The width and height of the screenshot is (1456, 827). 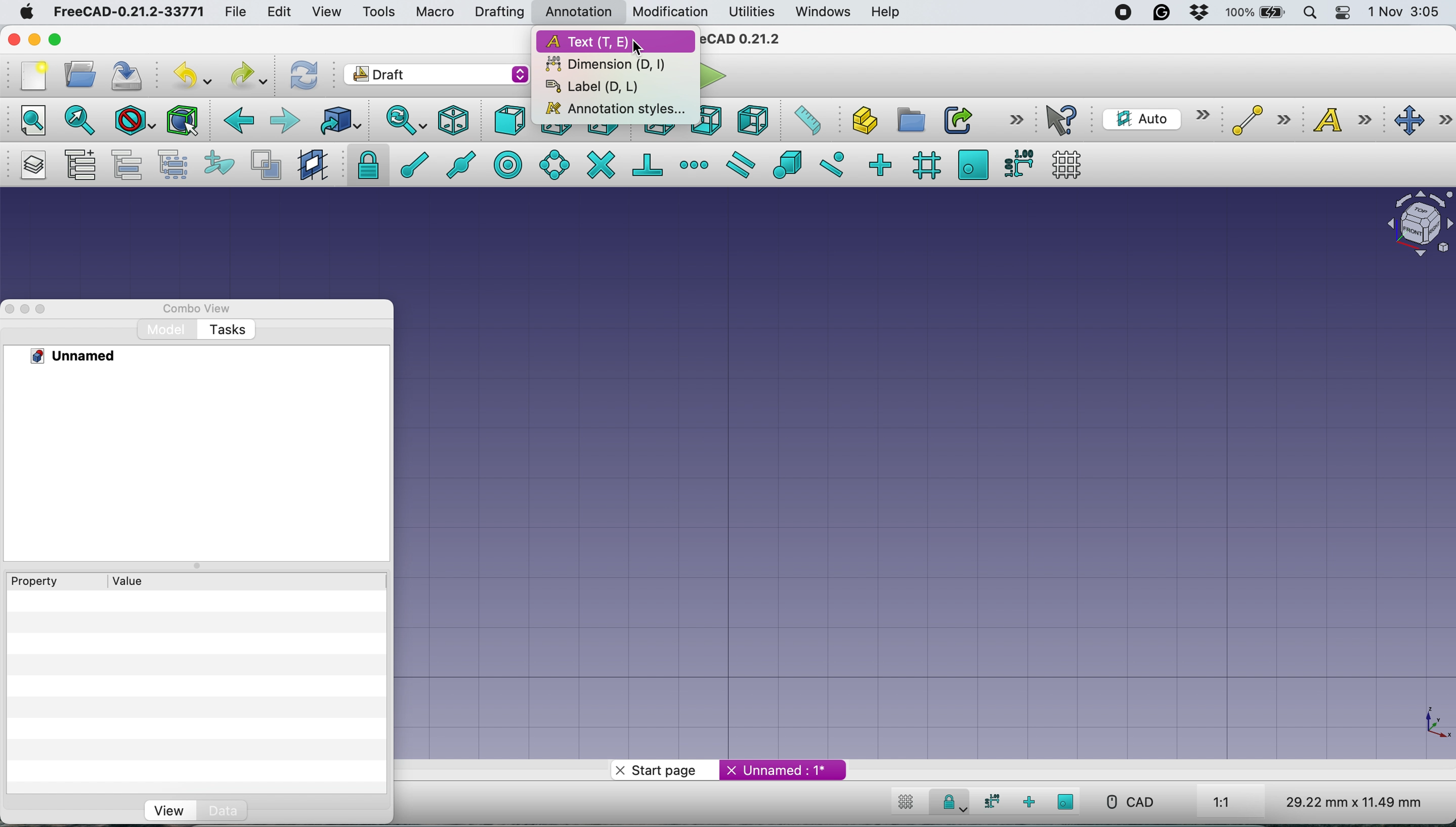 What do you see at coordinates (432, 11) in the screenshot?
I see `macro` at bounding box center [432, 11].